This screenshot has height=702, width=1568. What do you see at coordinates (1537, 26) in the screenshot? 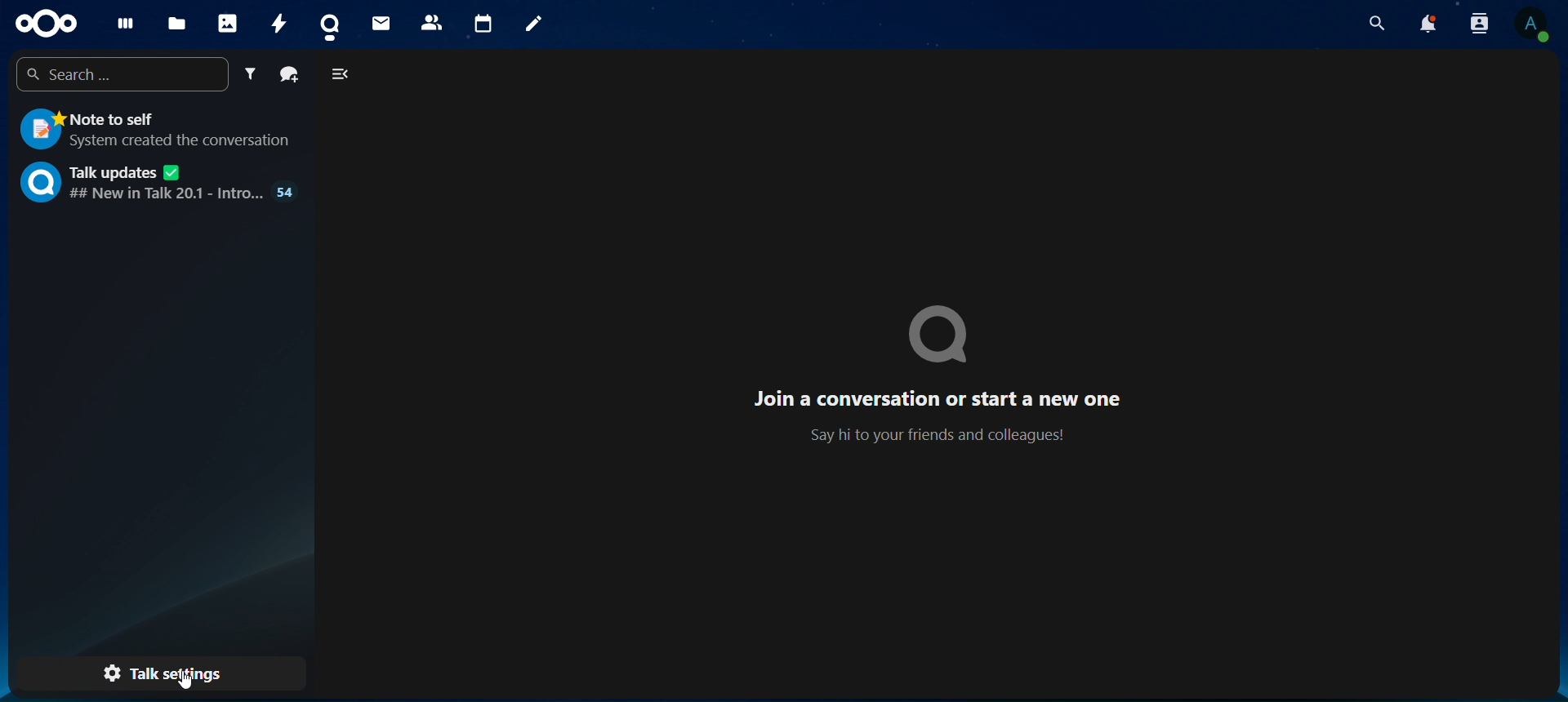
I see `profile` at bounding box center [1537, 26].